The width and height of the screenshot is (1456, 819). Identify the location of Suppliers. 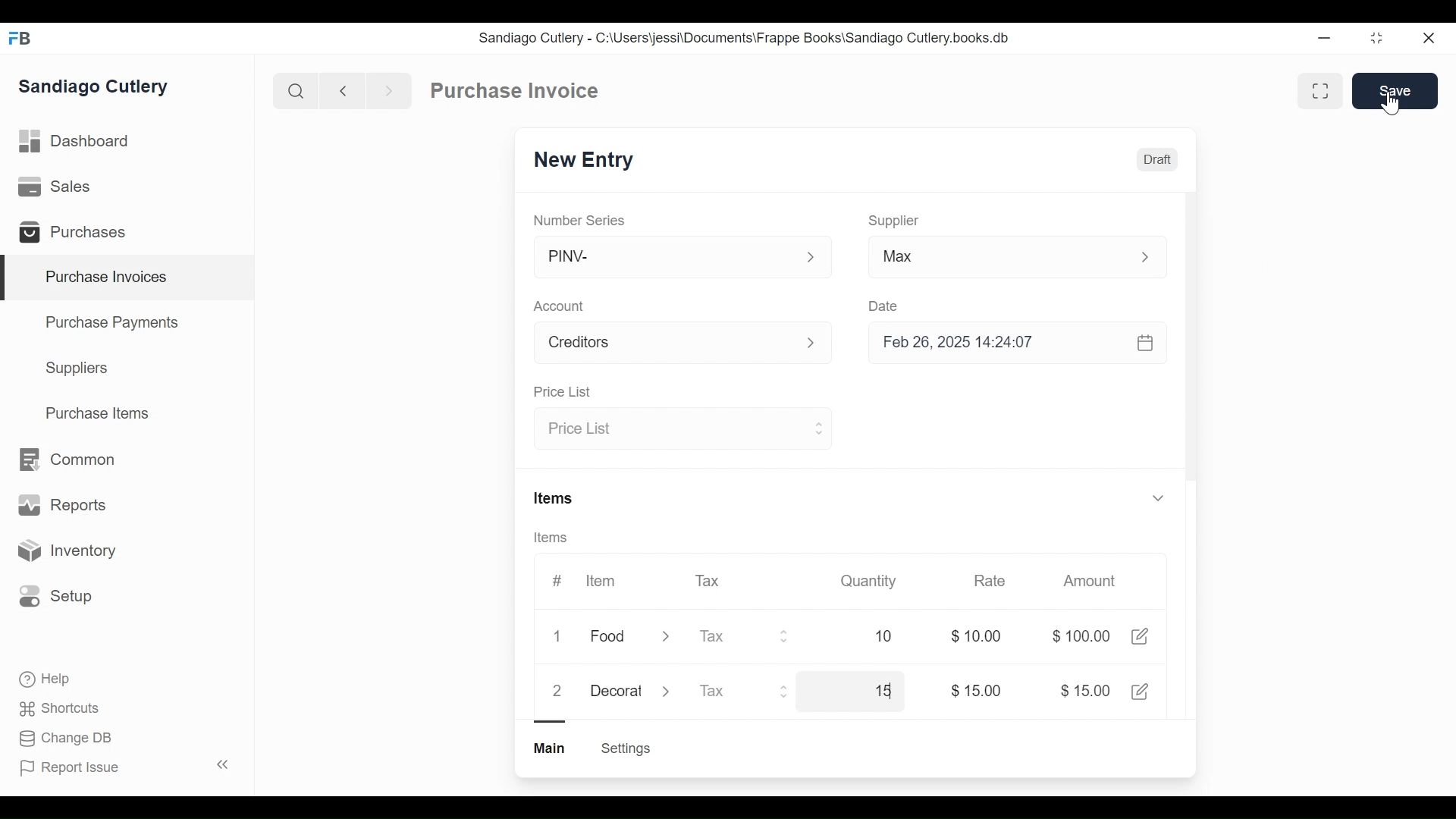
(77, 369).